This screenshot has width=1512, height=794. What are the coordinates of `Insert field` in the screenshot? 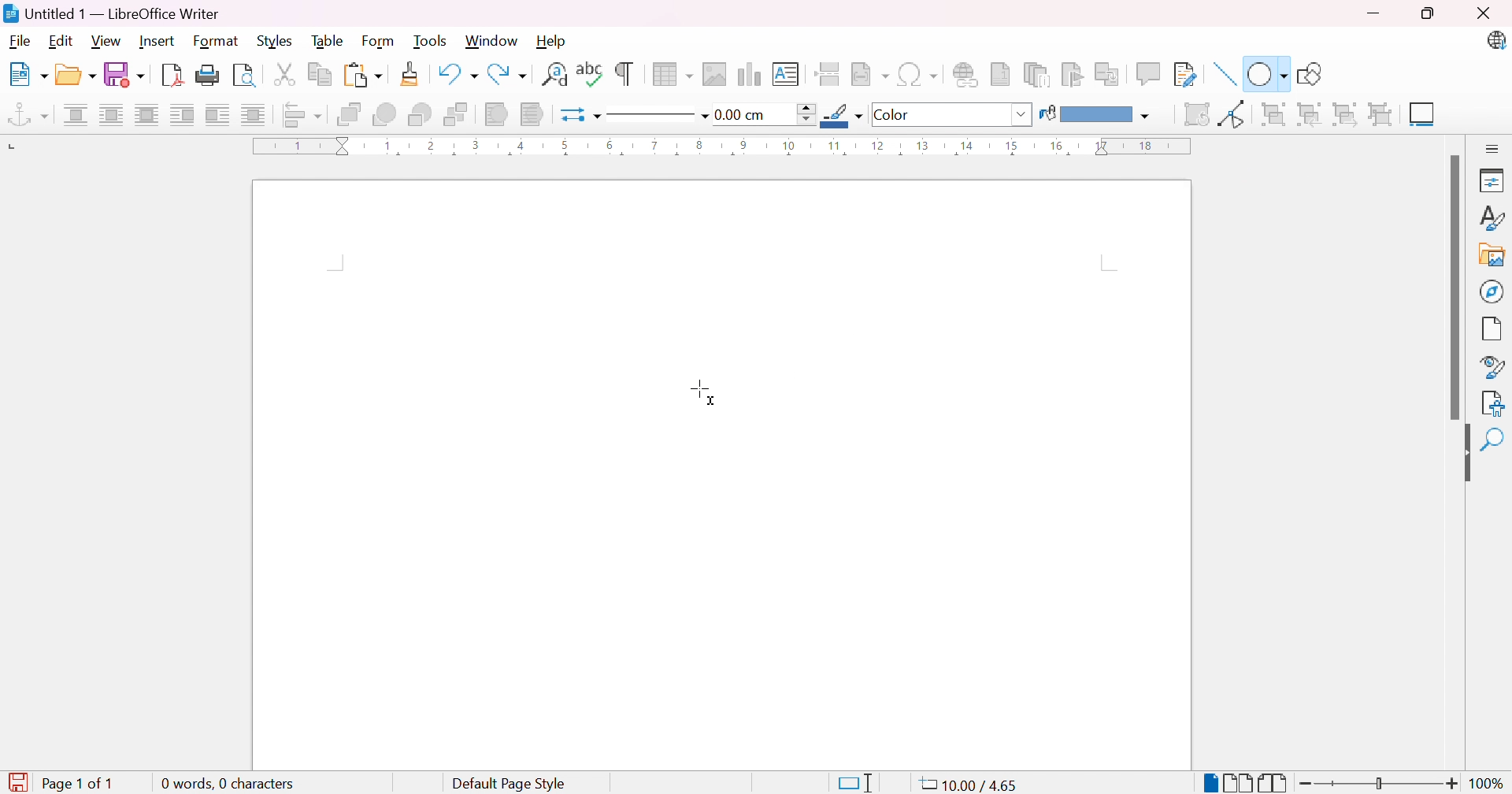 It's located at (869, 75).